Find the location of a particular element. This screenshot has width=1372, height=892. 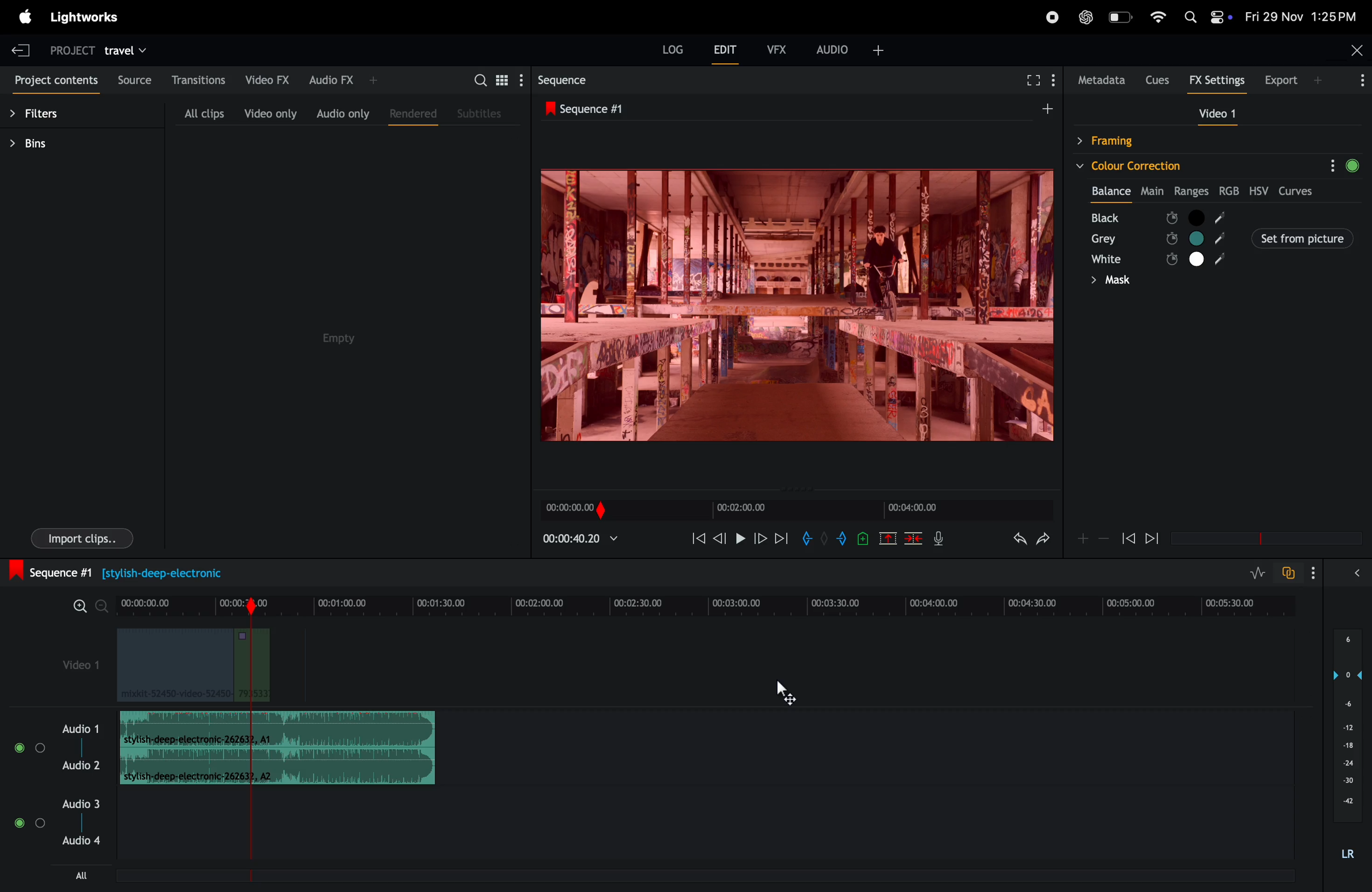

search bar is located at coordinates (476, 80).